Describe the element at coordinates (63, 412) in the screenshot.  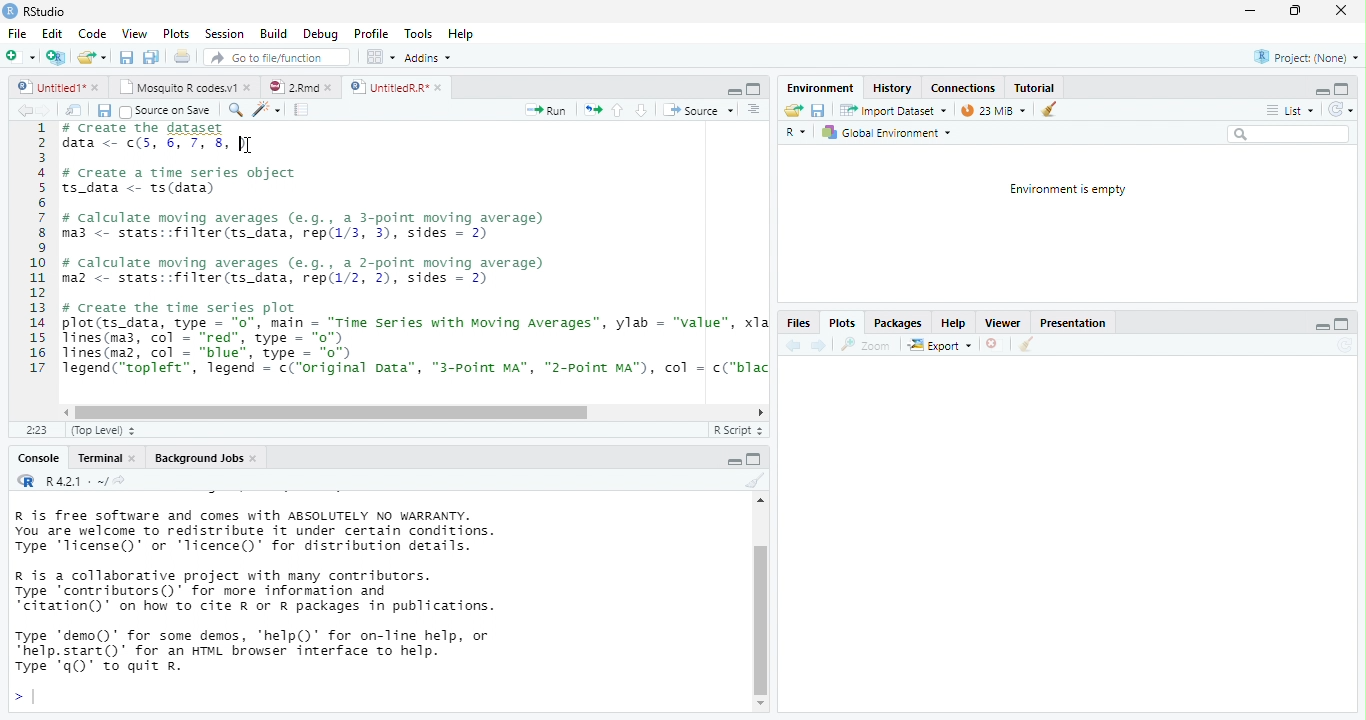
I see `scrollbar left` at that location.